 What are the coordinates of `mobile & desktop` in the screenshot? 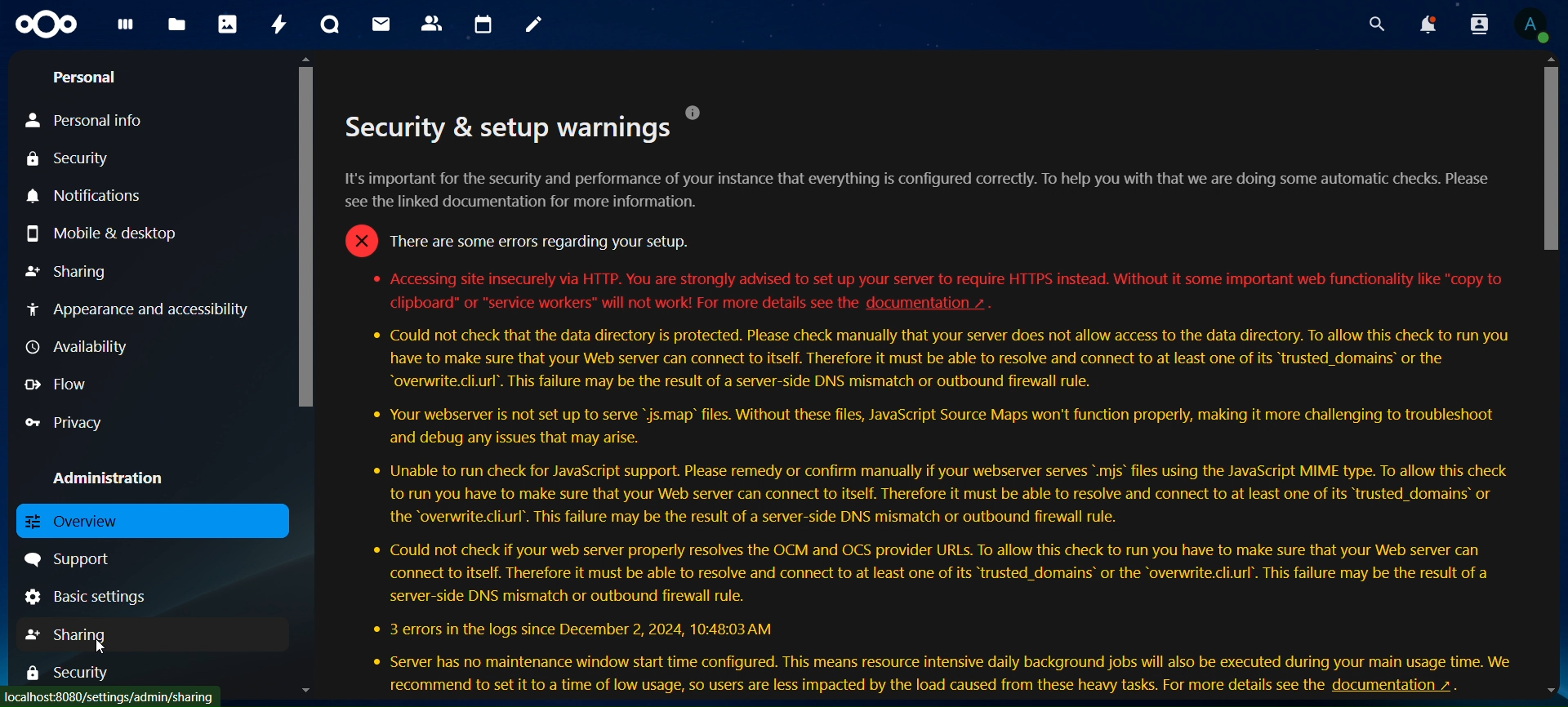 It's located at (106, 234).